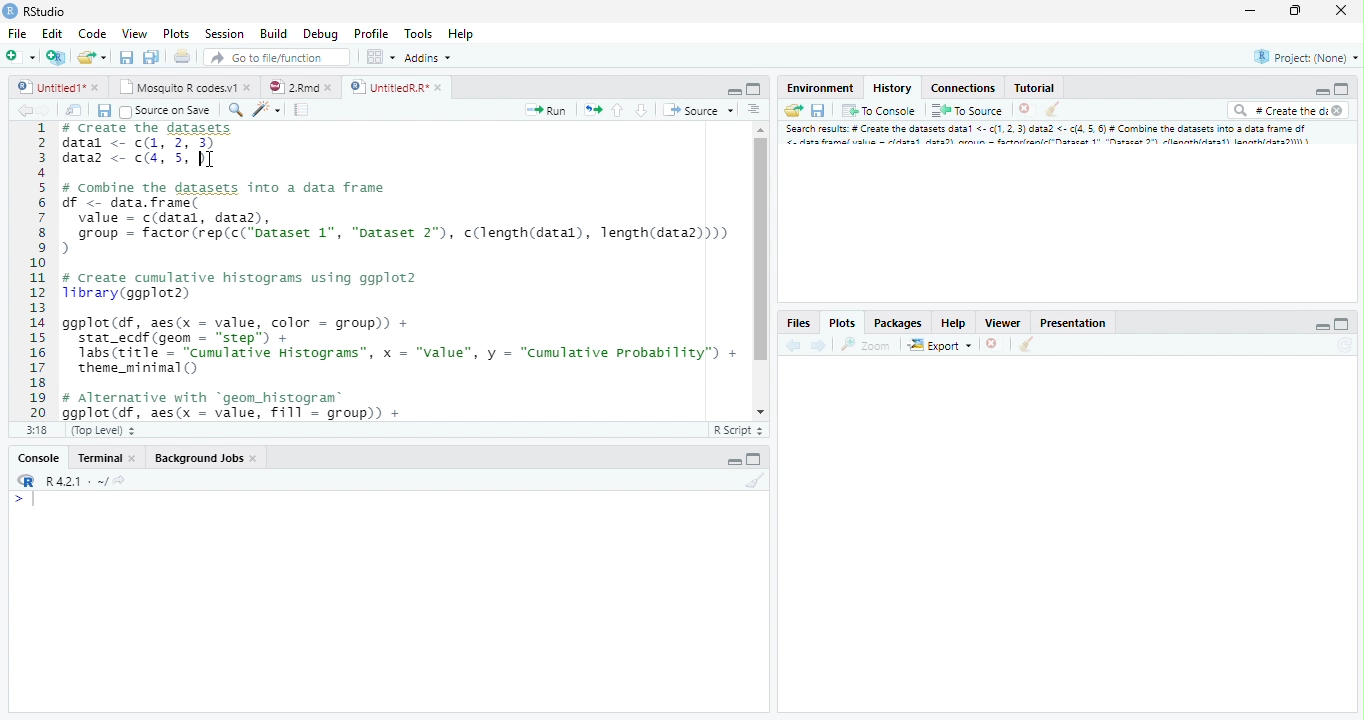  I want to click on Edit, so click(53, 35).